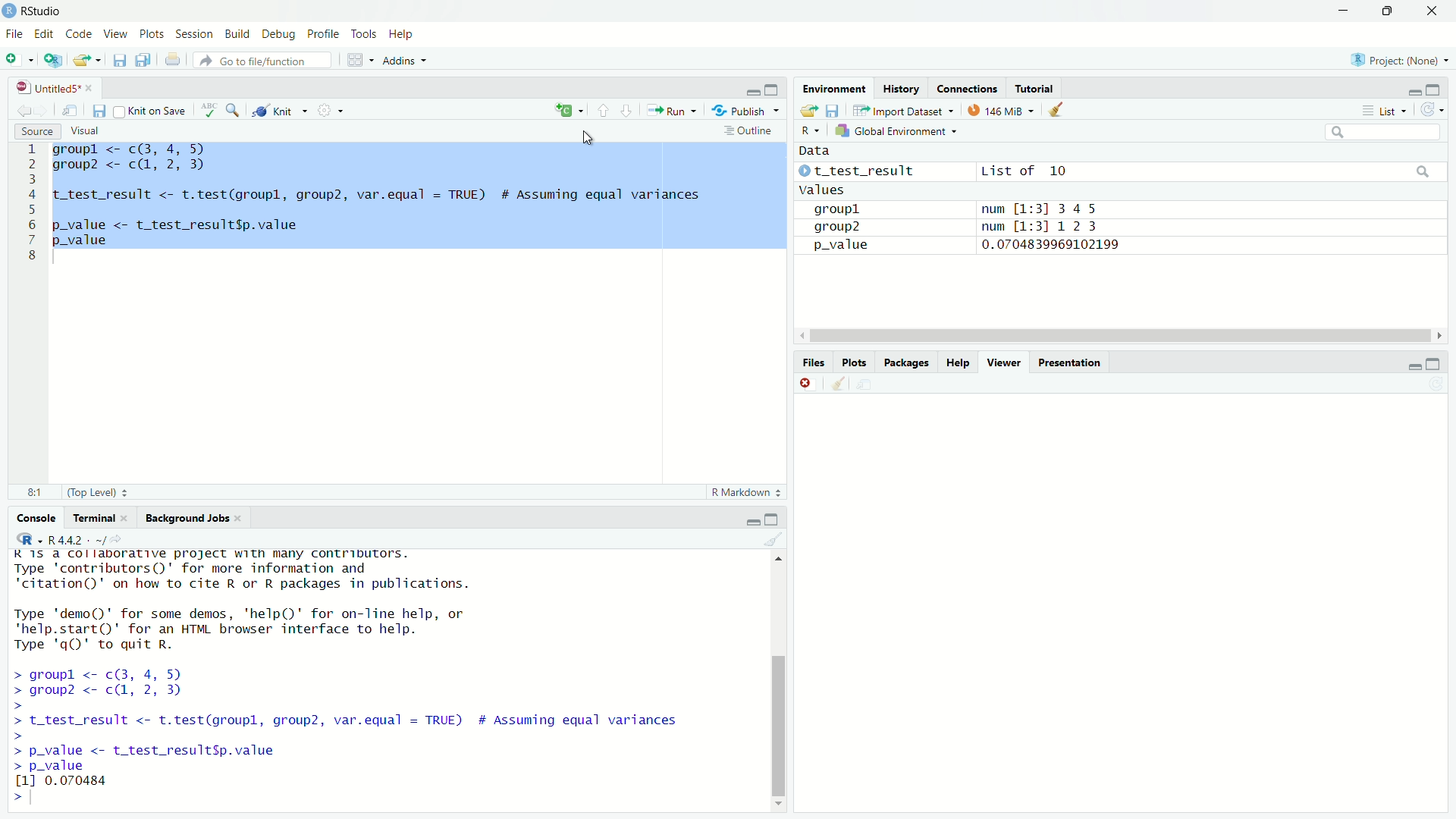  Describe the element at coordinates (77, 539) in the screenshot. I see `R 4.4.2` at that location.